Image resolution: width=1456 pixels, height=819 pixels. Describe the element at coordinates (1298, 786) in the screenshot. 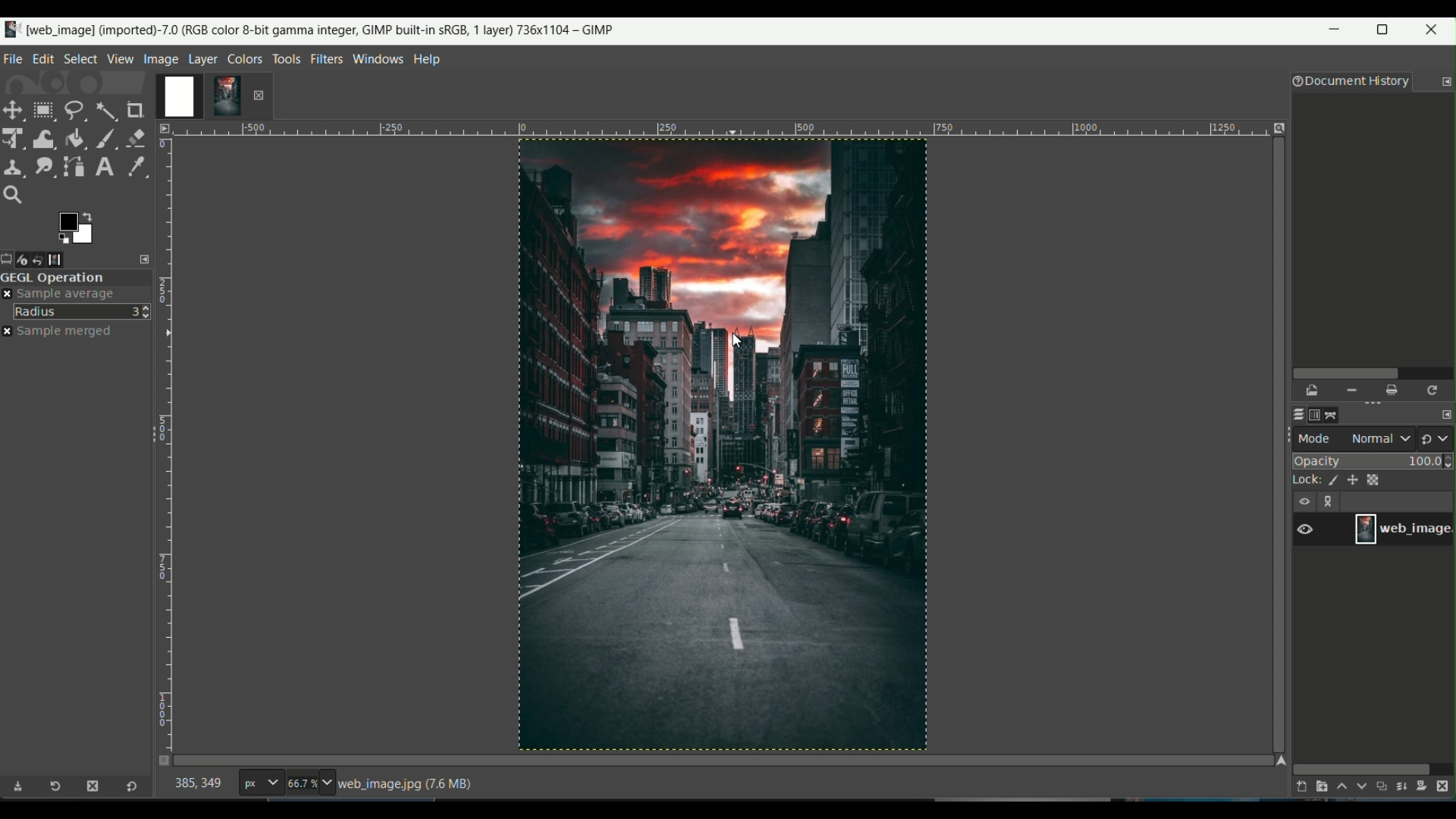

I see `create new layer` at that location.